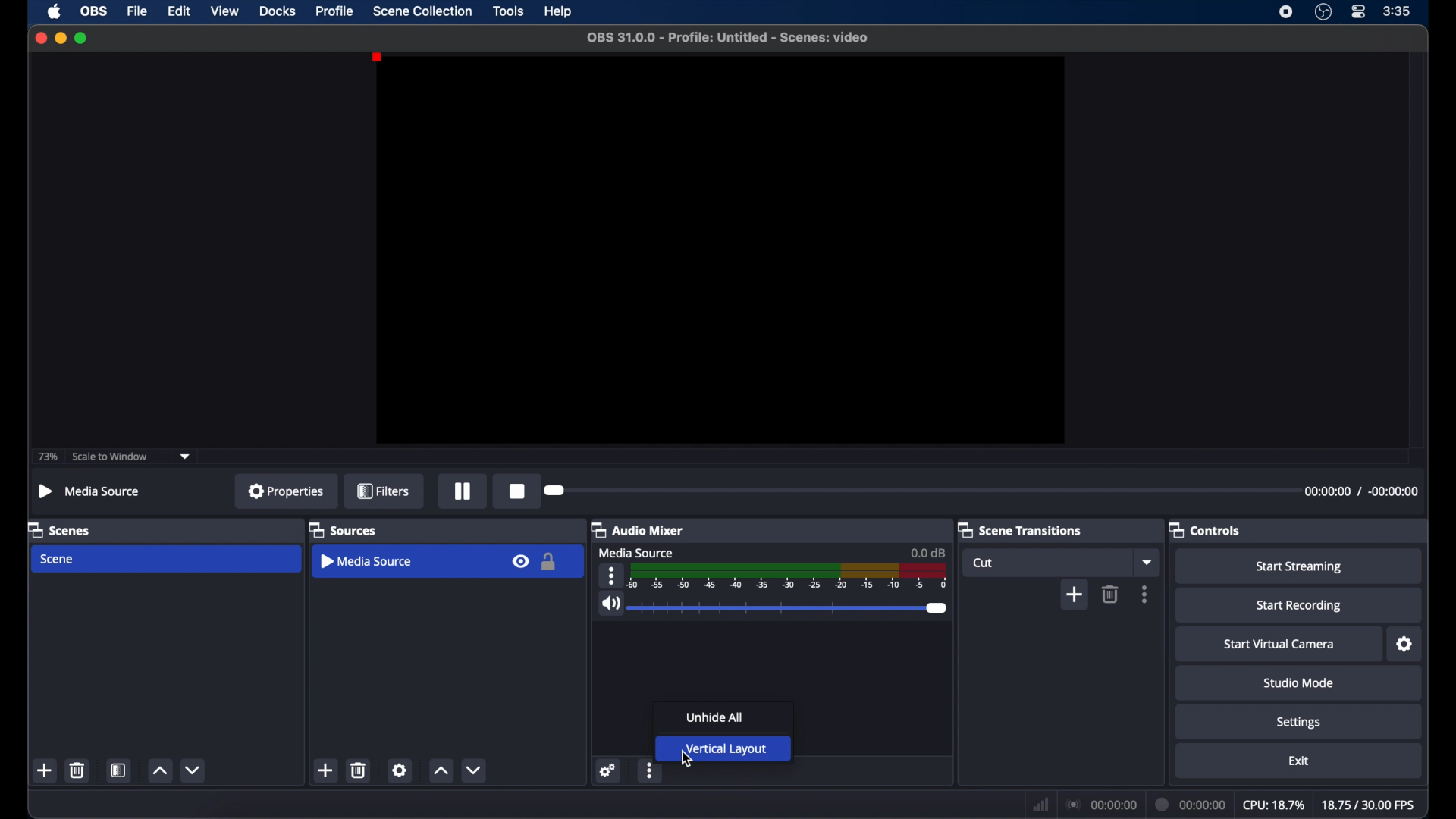  I want to click on cpu, so click(1273, 803).